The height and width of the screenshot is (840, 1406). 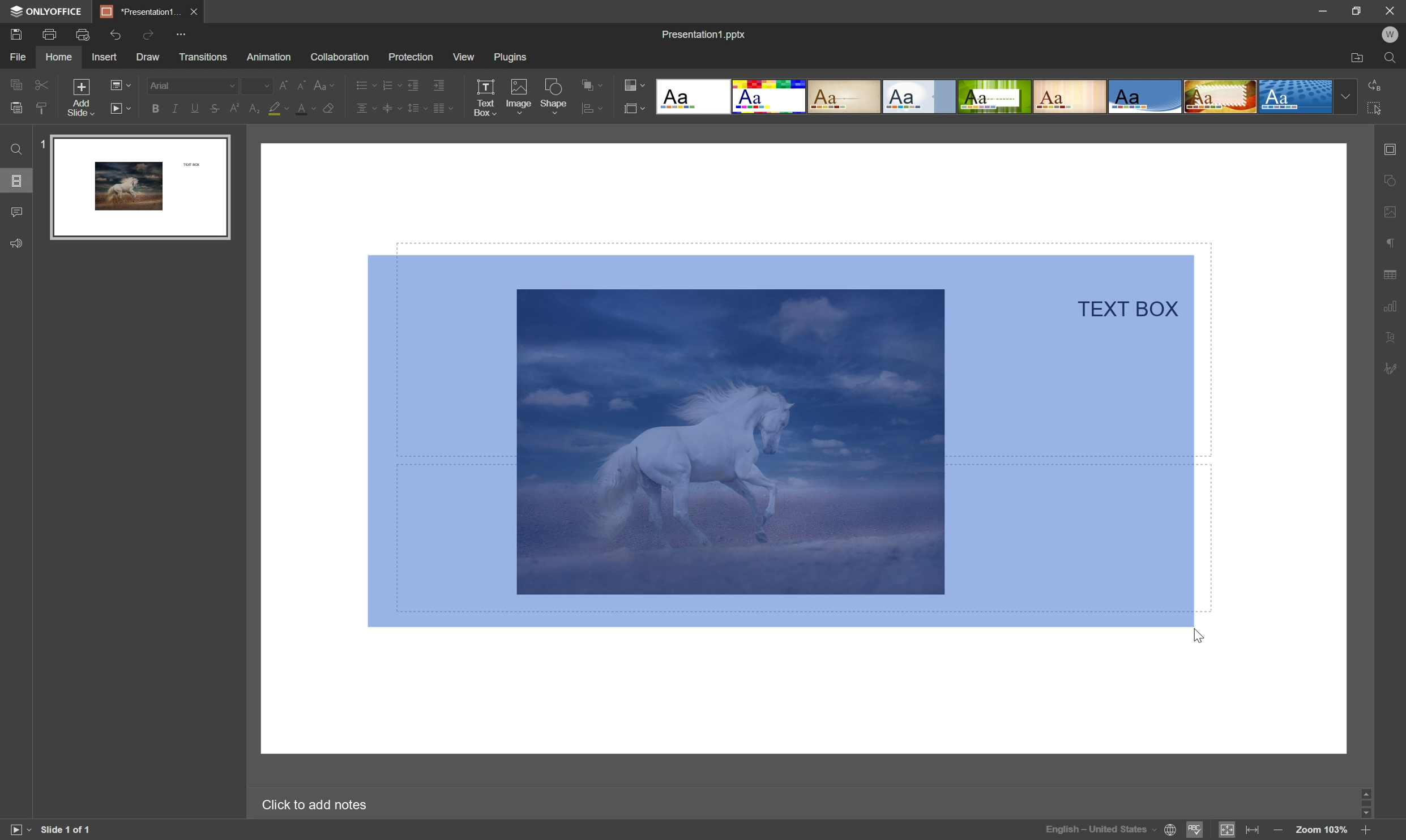 What do you see at coordinates (1377, 108) in the screenshot?
I see `select all` at bounding box center [1377, 108].